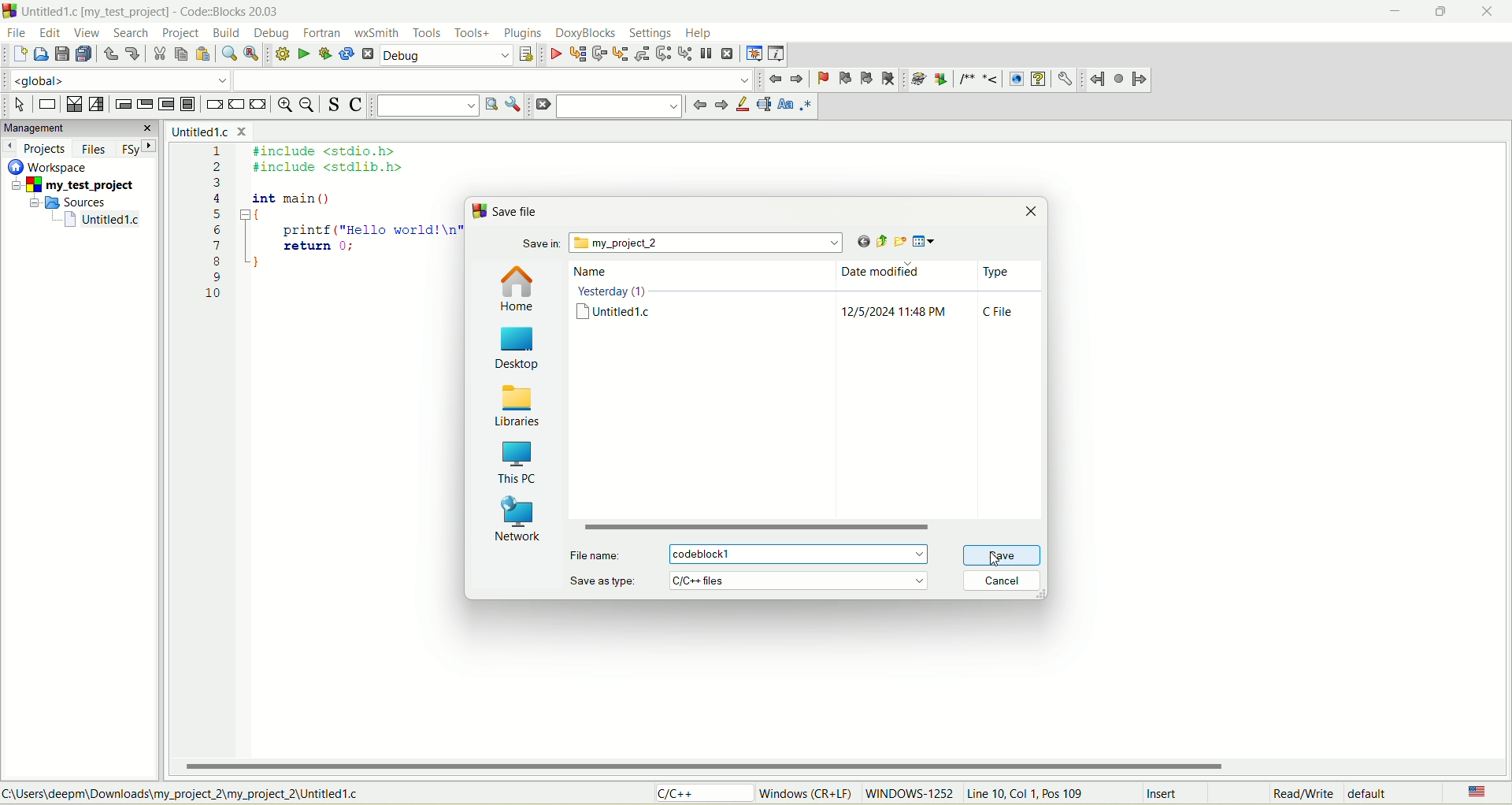 The width and height of the screenshot is (1512, 805). I want to click on go to last folder, so click(857, 242).